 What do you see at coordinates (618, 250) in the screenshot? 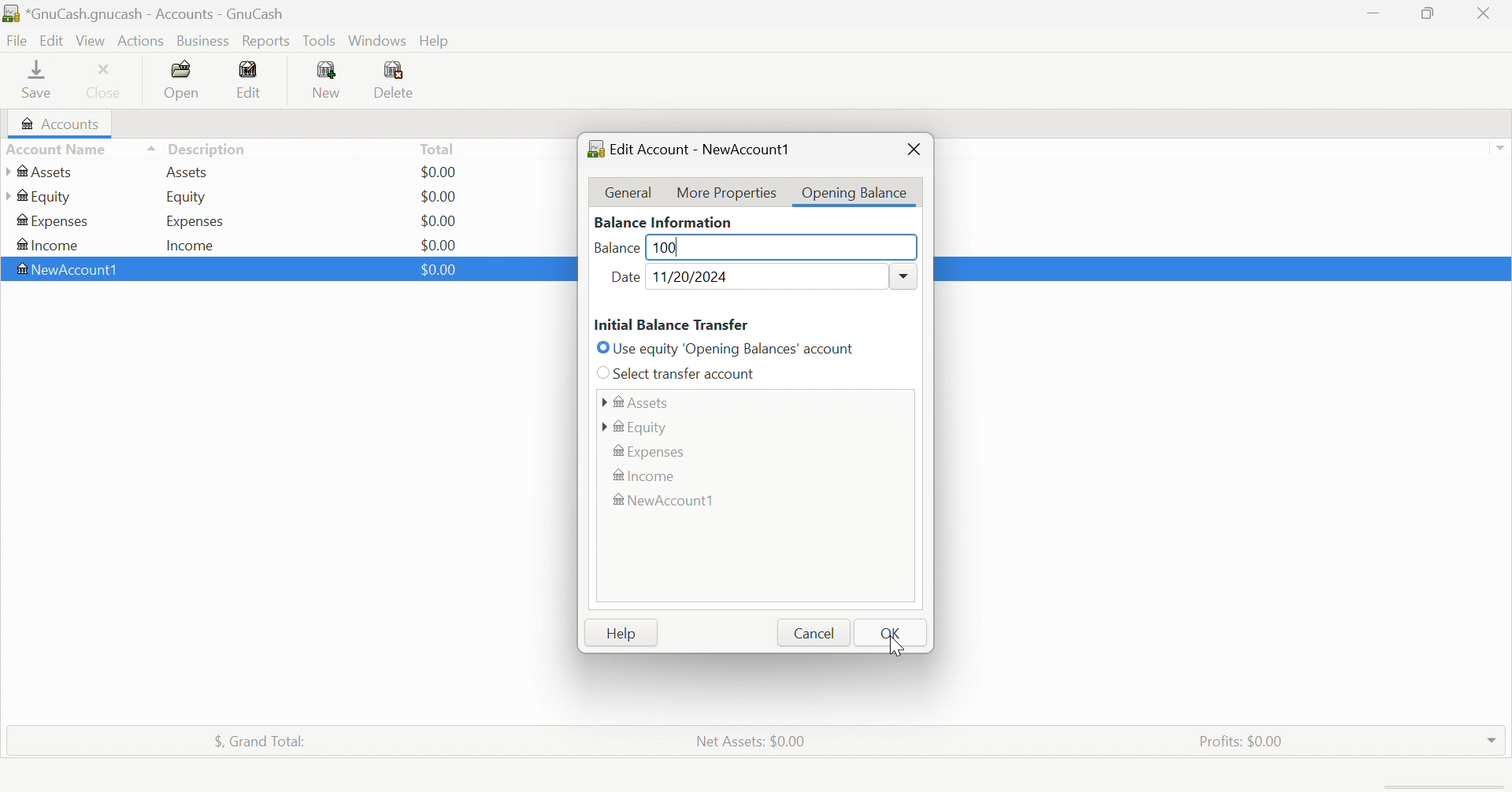
I see `Balance` at bounding box center [618, 250].